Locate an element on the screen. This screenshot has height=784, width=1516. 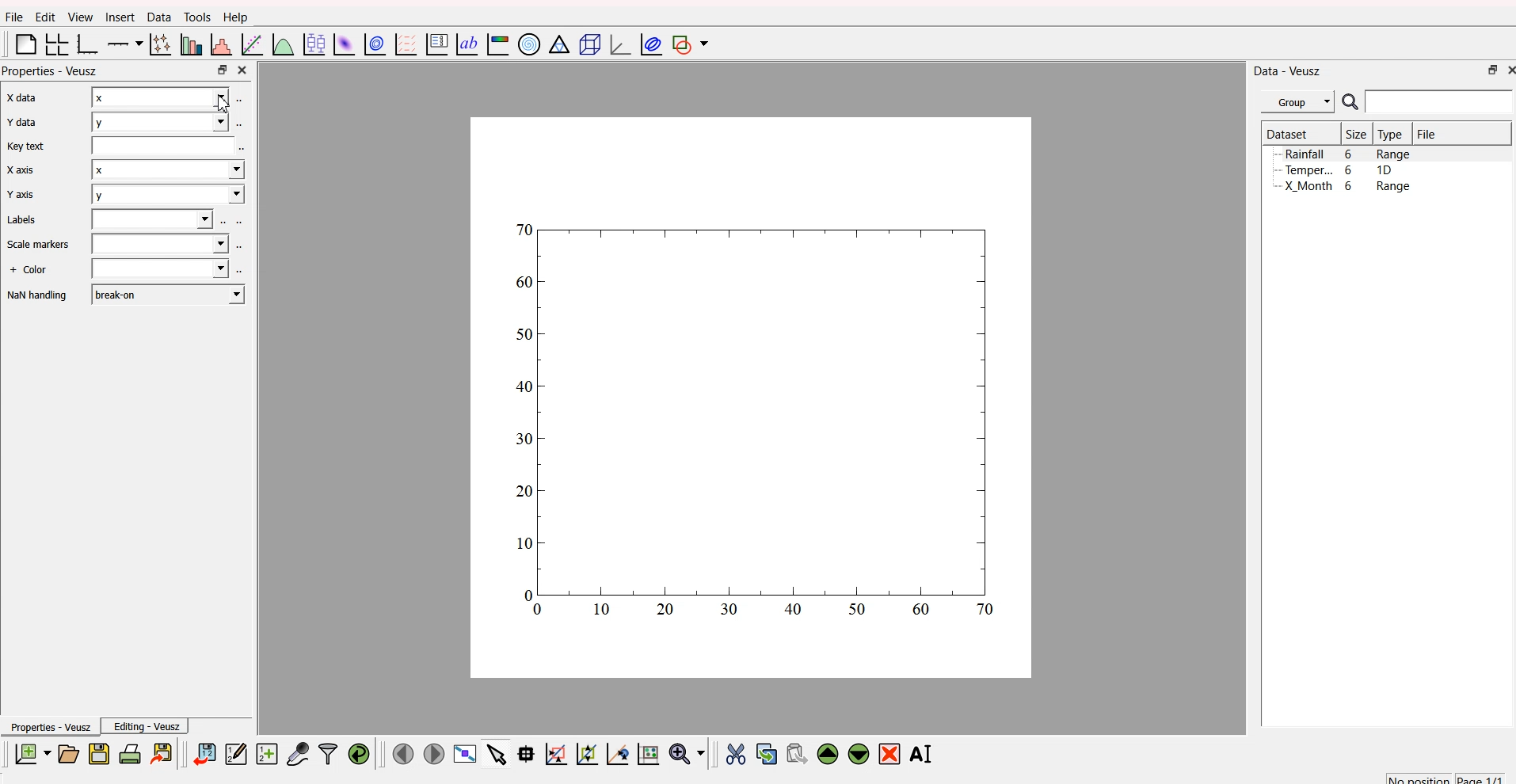
draw points is located at coordinates (584, 754).